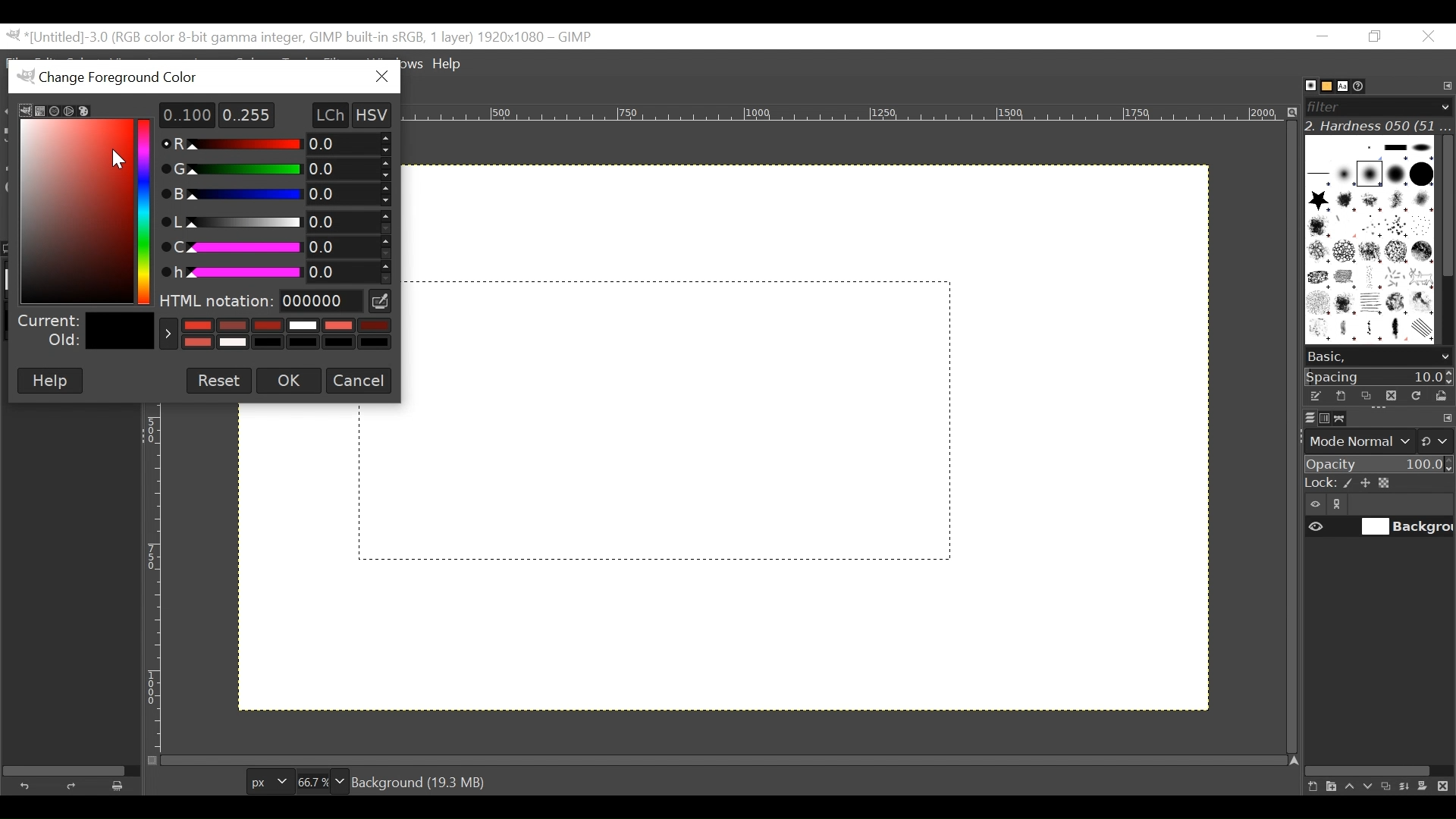 Image resolution: width=1456 pixels, height=819 pixels. What do you see at coordinates (1389, 786) in the screenshot?
I see `Duplicate this layer` at bounding box center [1389, 786].